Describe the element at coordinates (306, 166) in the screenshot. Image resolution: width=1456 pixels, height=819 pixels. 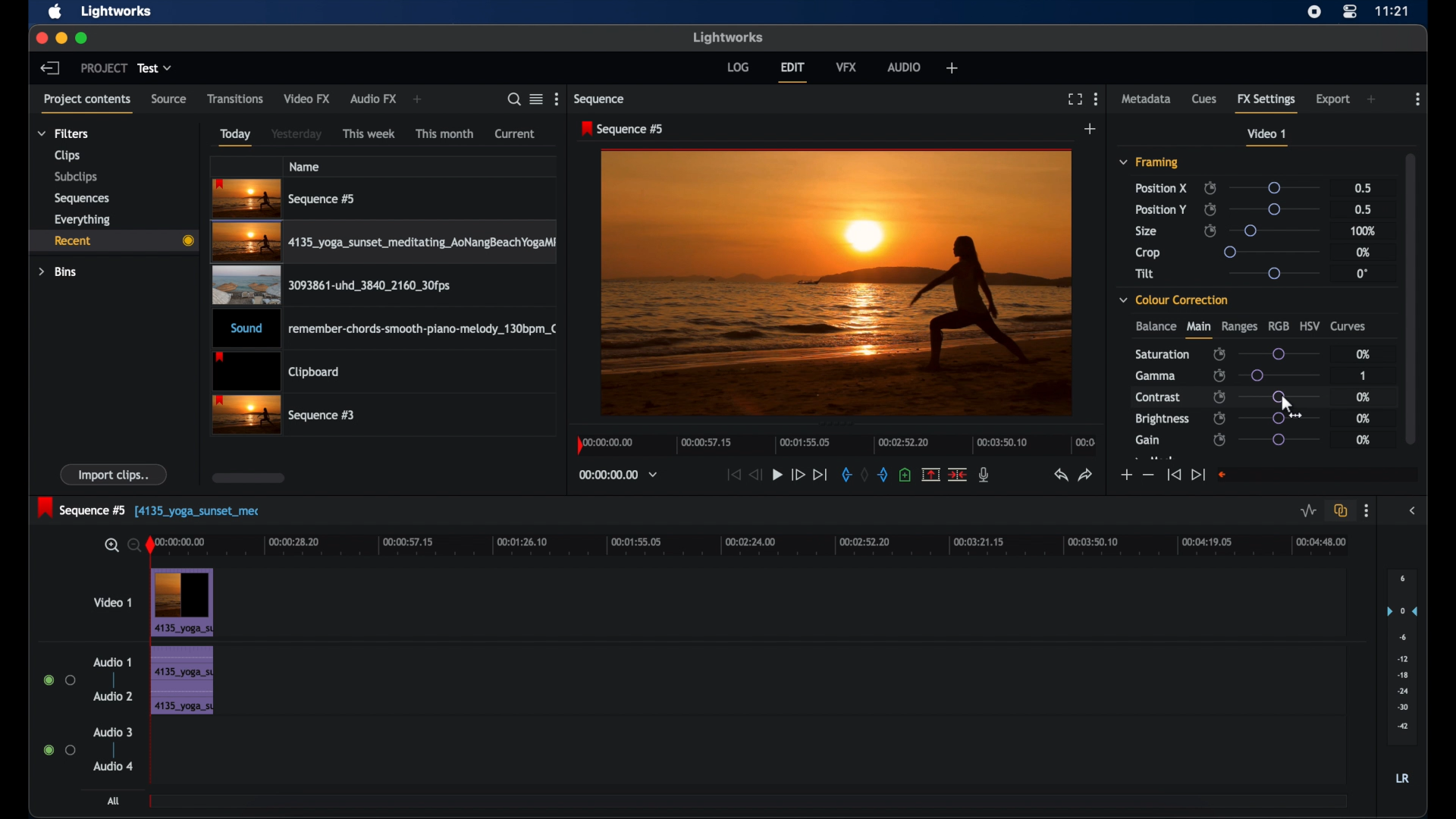
I see `name` at that location.